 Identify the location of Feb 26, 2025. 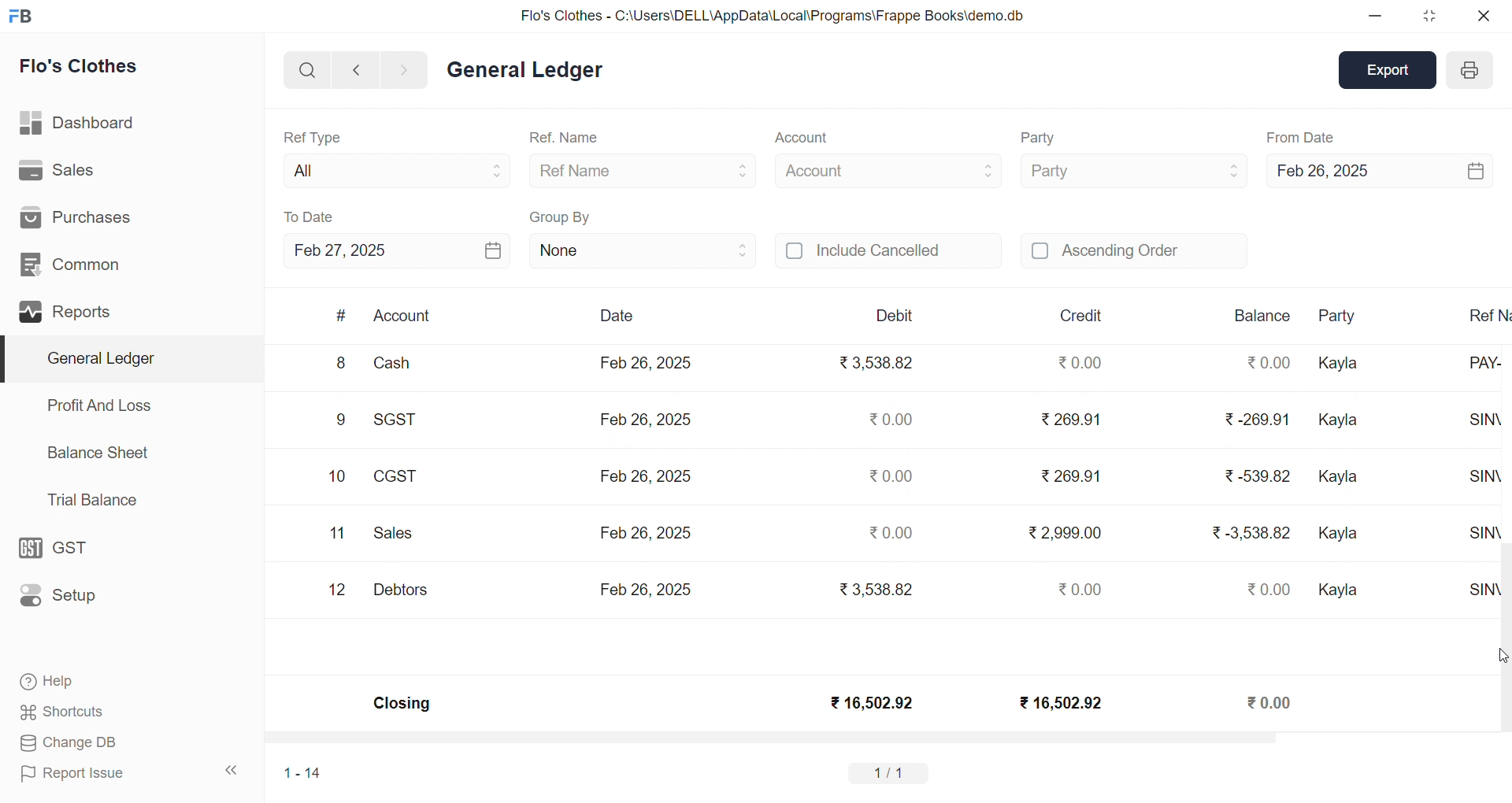
(646, 362).